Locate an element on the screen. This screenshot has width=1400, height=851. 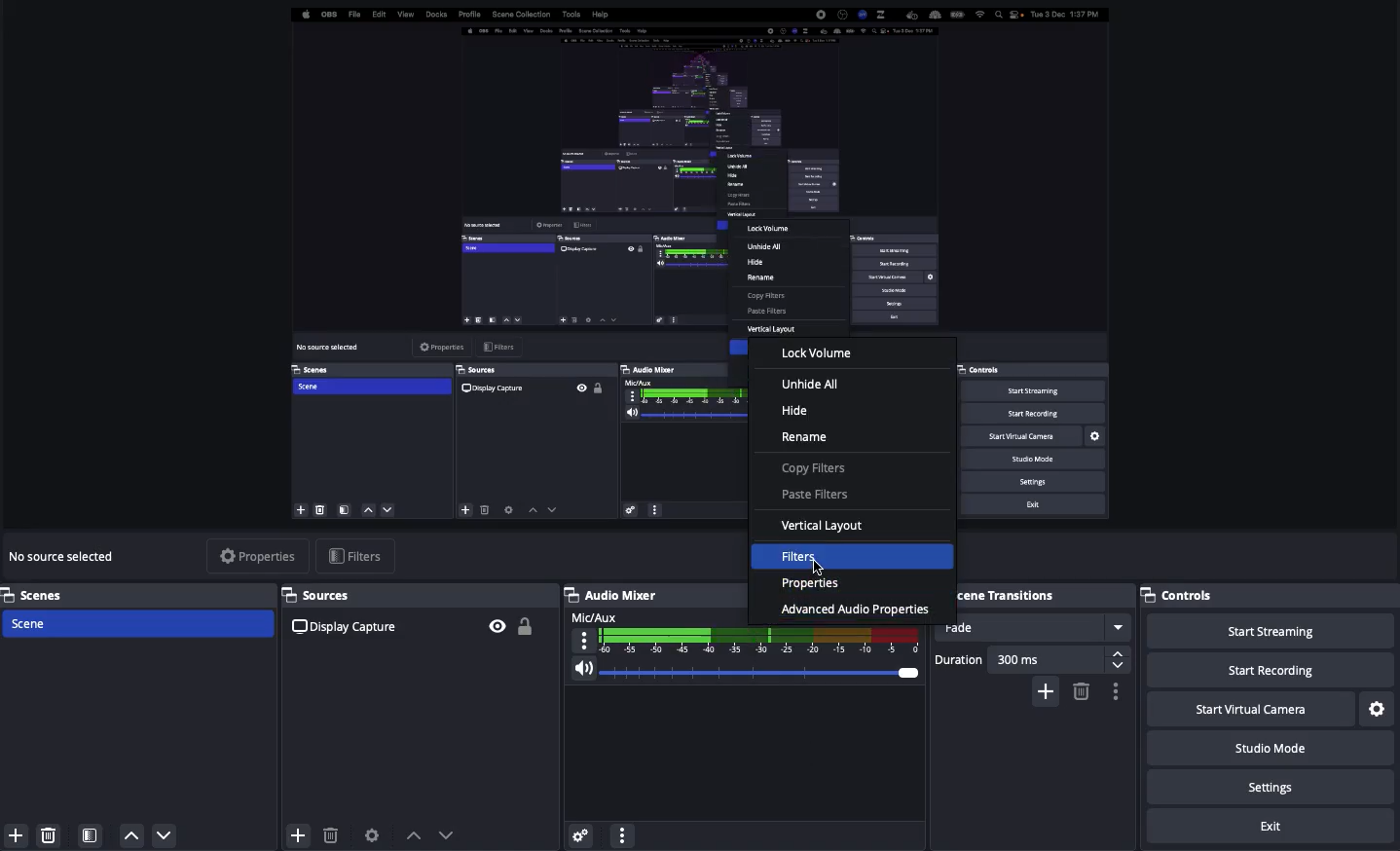
Scene transitions is located at coordinates (998, 596).